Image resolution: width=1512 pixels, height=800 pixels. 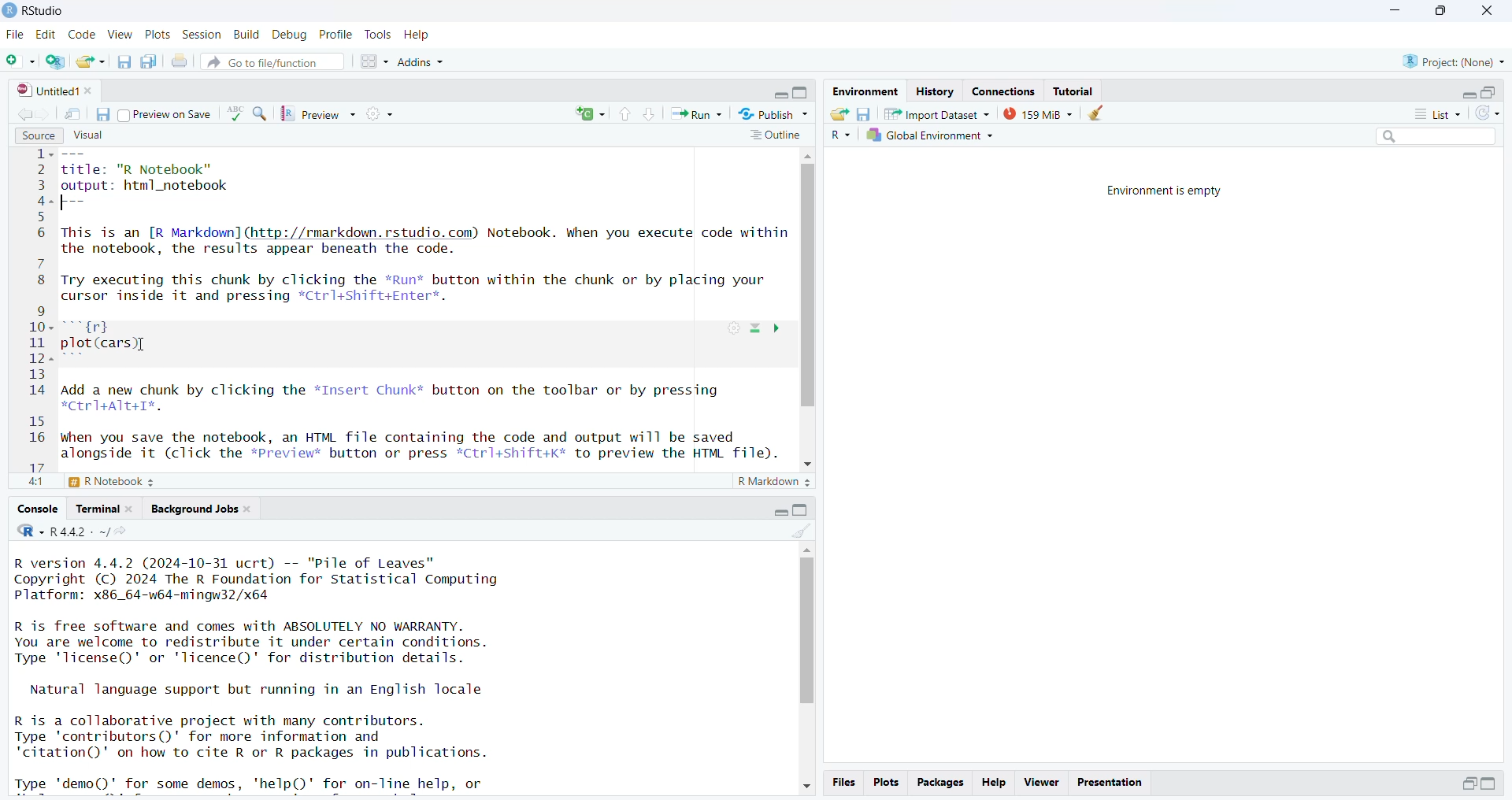 I want to click on workspace panes, so click(x=375, y=61).